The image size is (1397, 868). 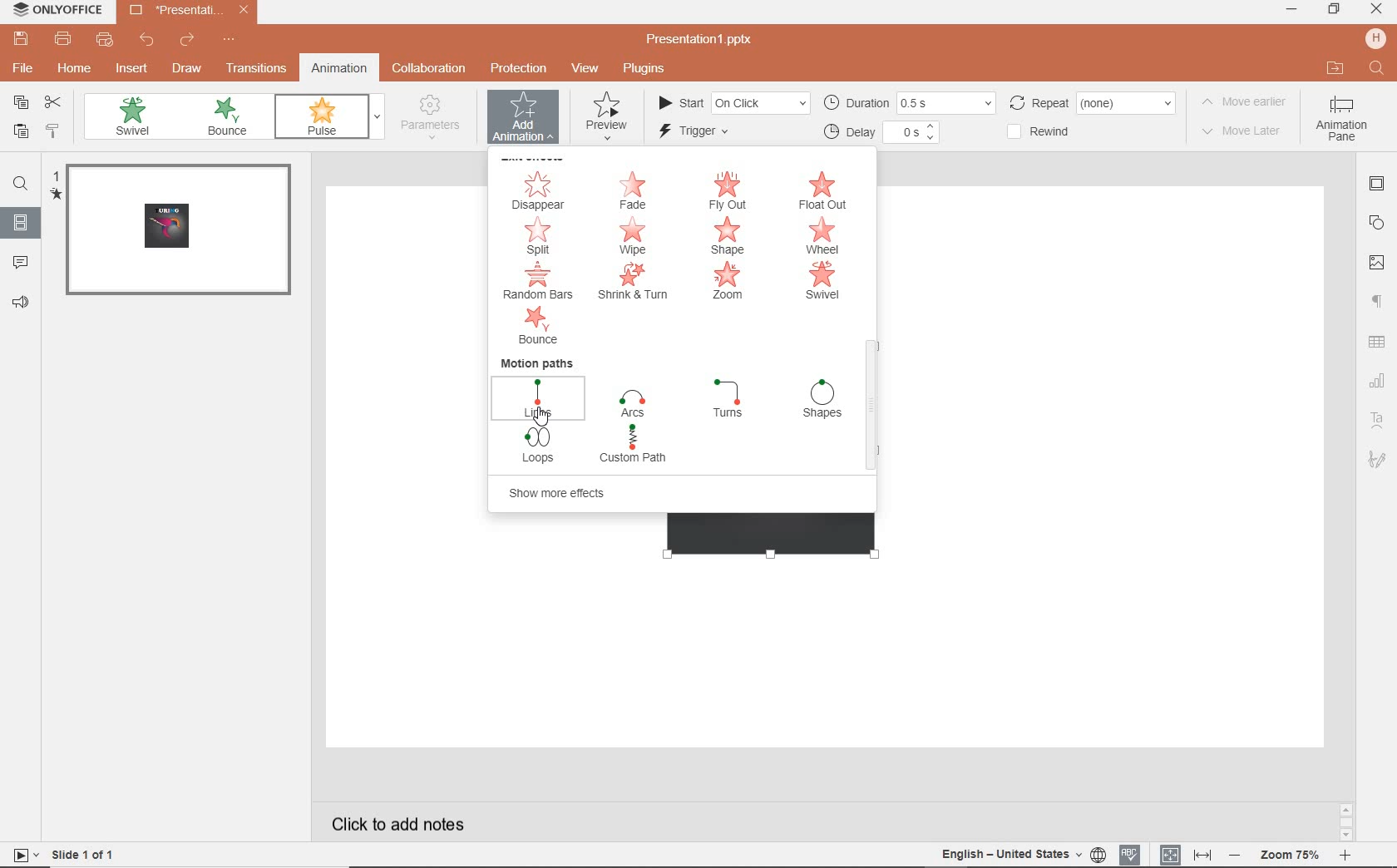 What do you see at coordinates (258, 70) in the screenshot?
I see `transitions` at bounding box center [258, 70].